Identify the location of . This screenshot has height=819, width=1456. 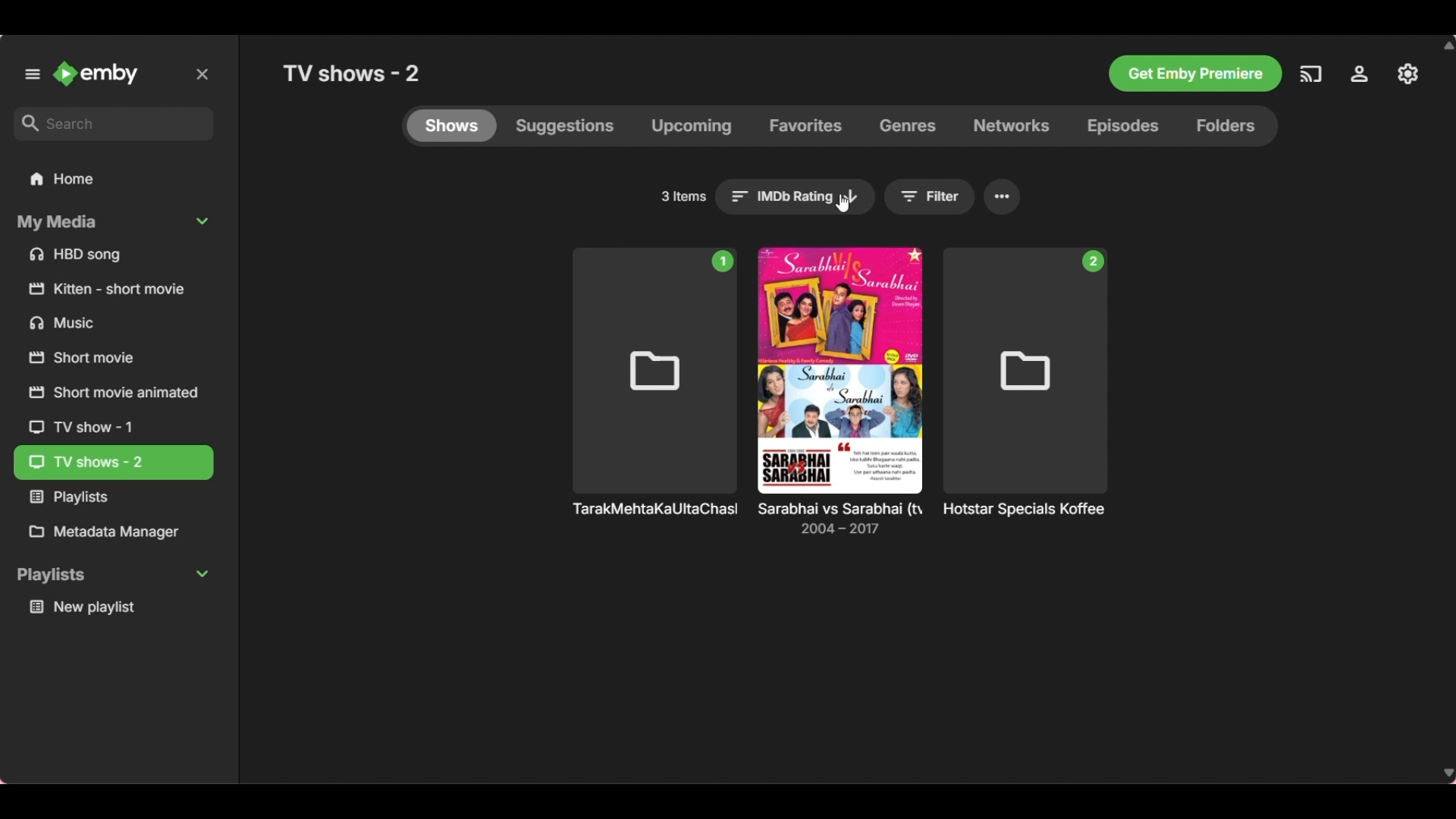
(93, 362).